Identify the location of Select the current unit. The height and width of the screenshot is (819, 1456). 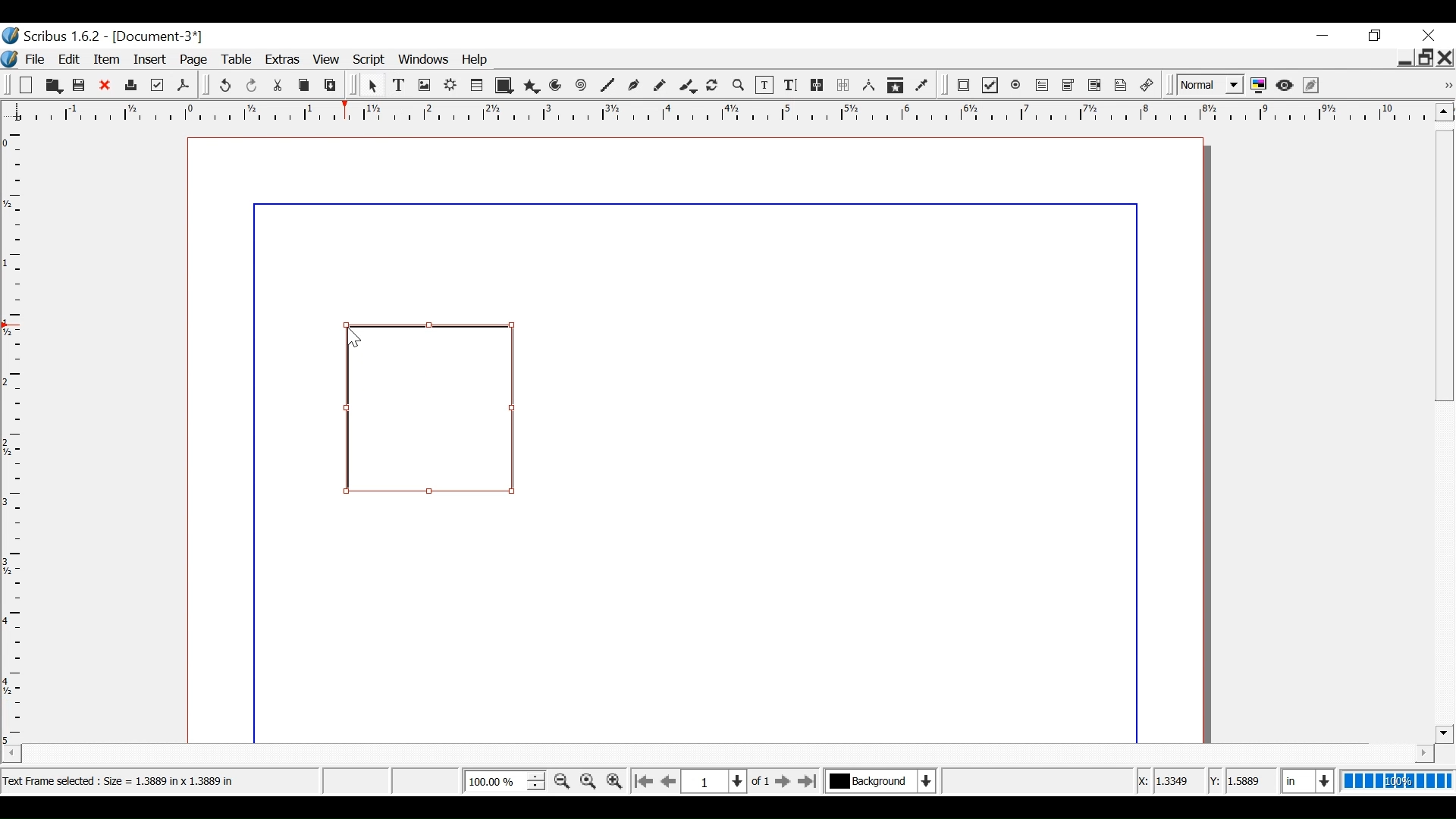
(1305, 780).